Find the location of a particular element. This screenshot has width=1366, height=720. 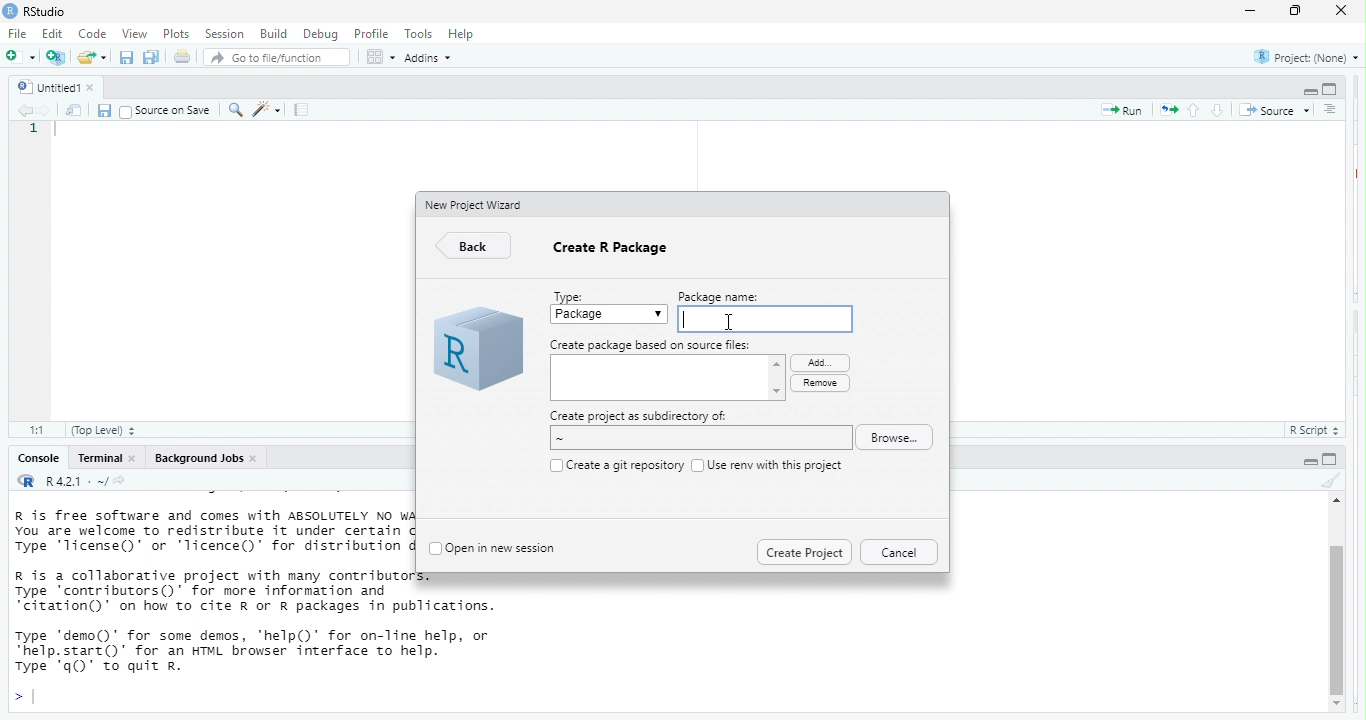

1 is located at coordinates (34, 131).